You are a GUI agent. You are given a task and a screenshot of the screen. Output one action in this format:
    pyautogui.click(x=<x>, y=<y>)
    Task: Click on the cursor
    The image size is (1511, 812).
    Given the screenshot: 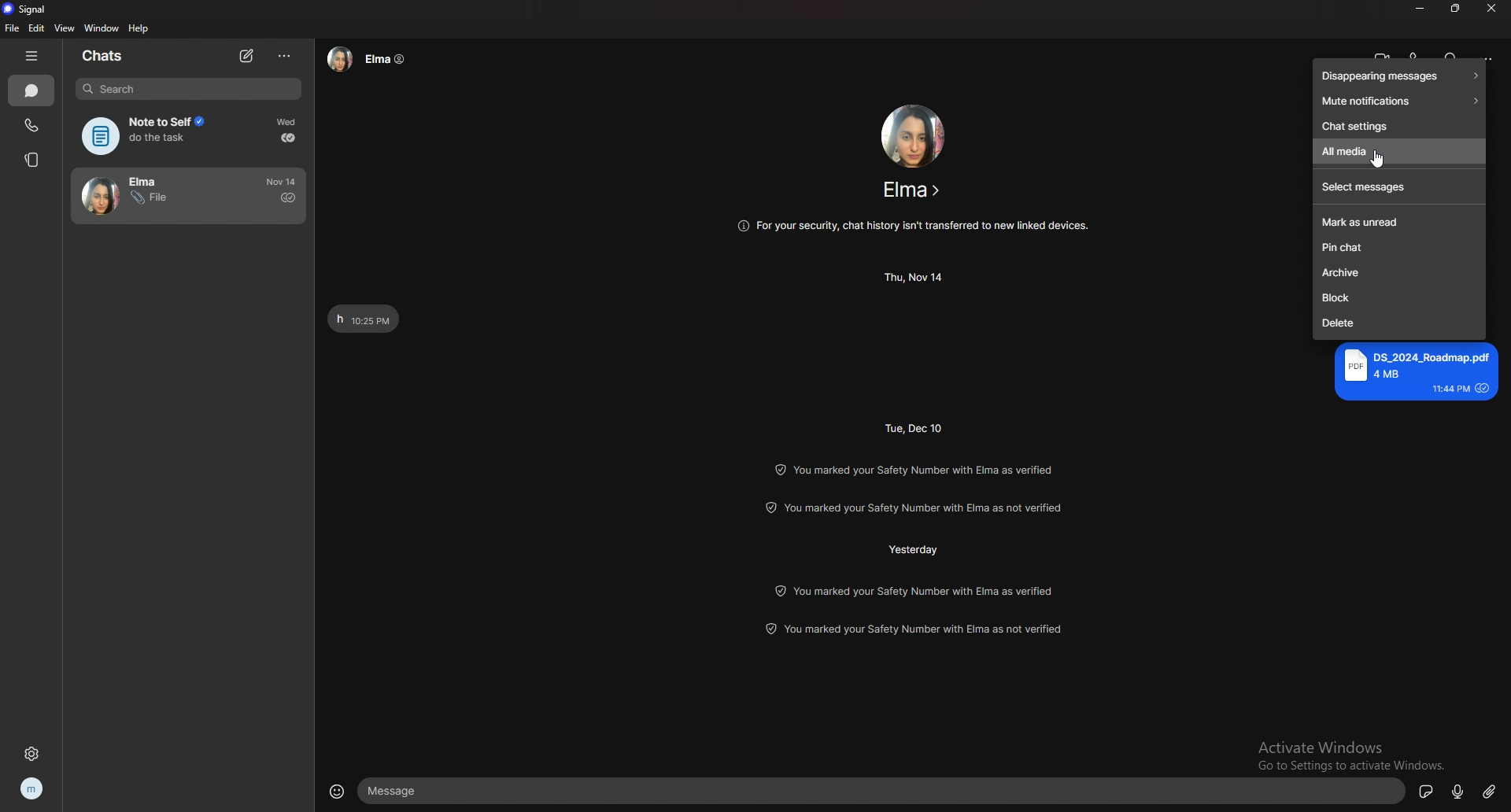 What is the action you would take?
    pyautogui.click(x=1376, y=161)
    